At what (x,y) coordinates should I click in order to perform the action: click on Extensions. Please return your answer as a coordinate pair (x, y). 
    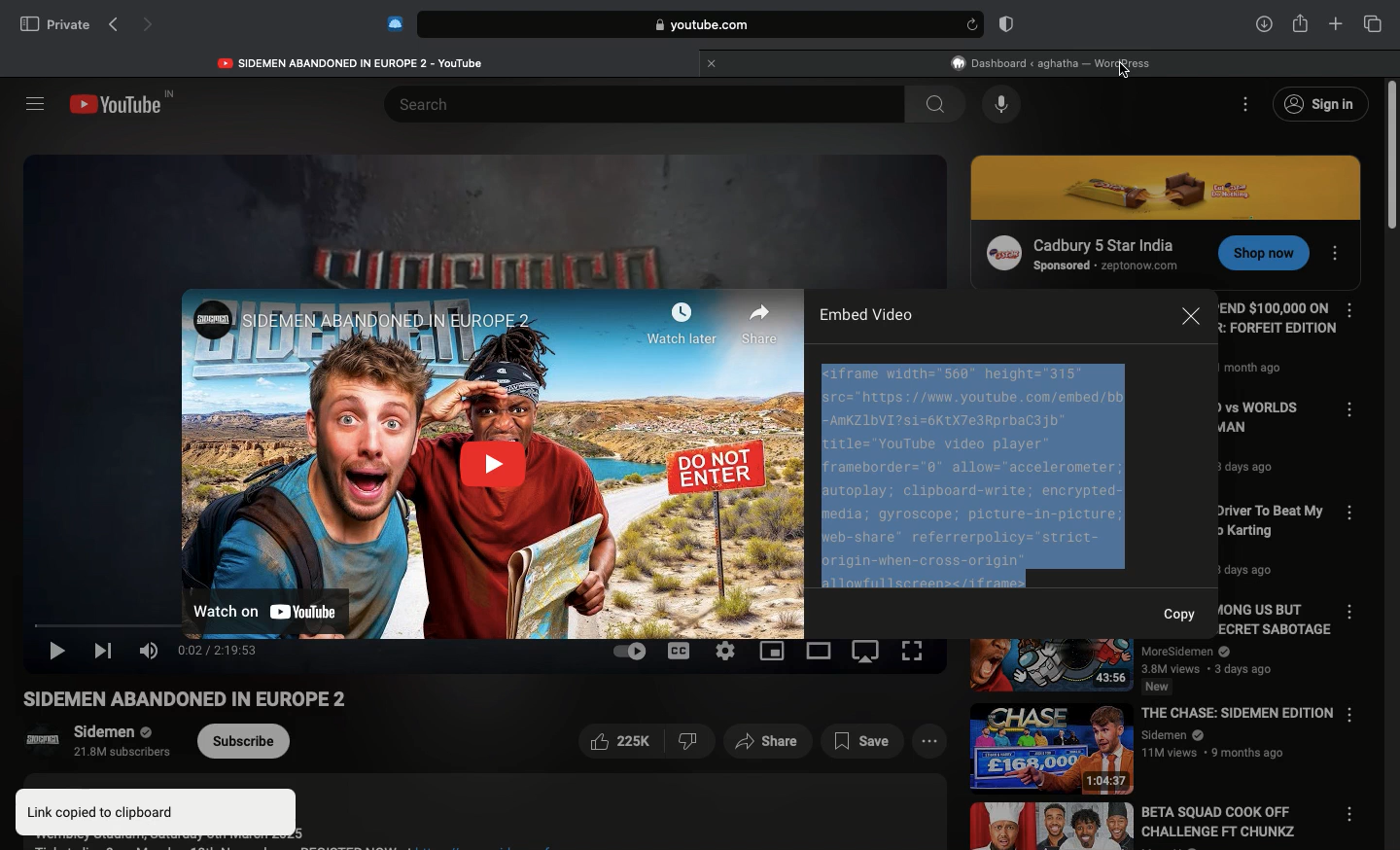
    Looking at the image, I should click on (393, 23).